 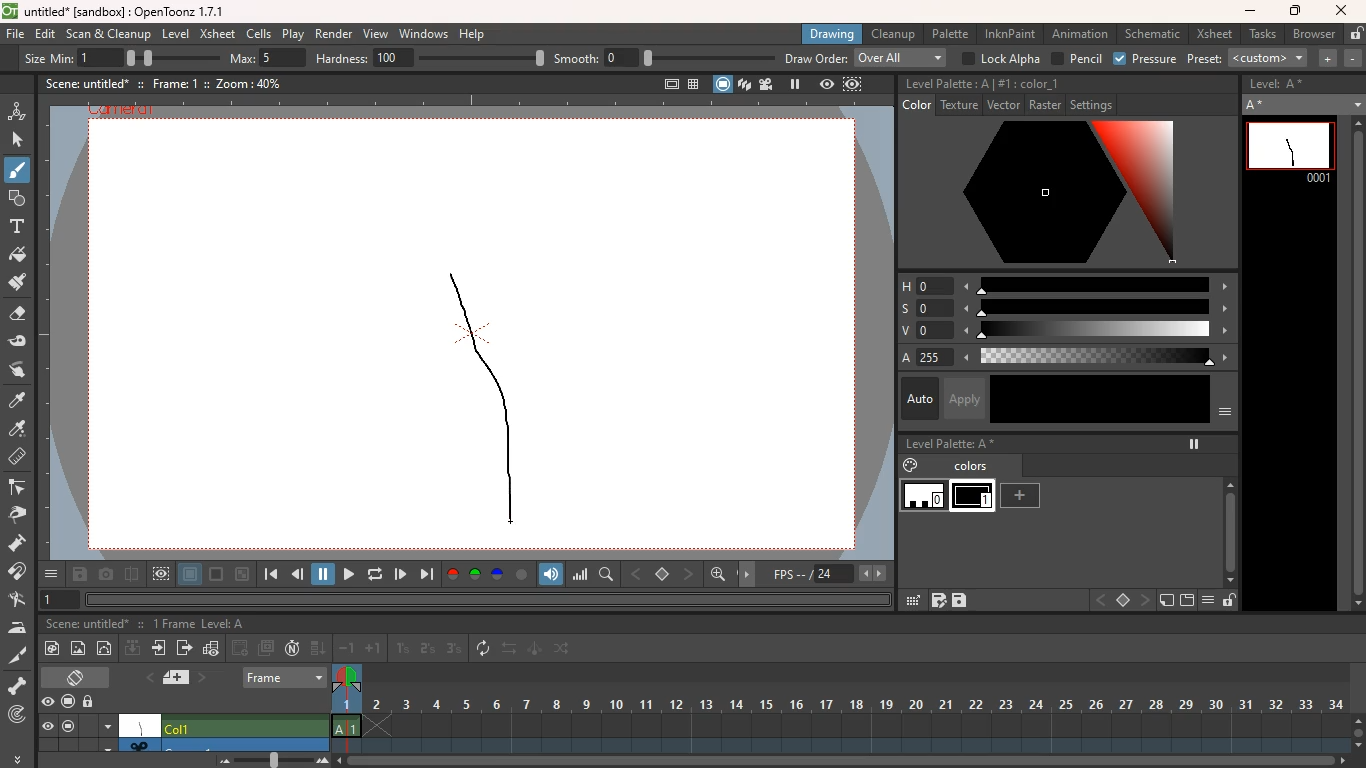 What do you see at coordinates (1353, 58) in the screenshot?
I see `minus` at bounding box center [1353, 58].